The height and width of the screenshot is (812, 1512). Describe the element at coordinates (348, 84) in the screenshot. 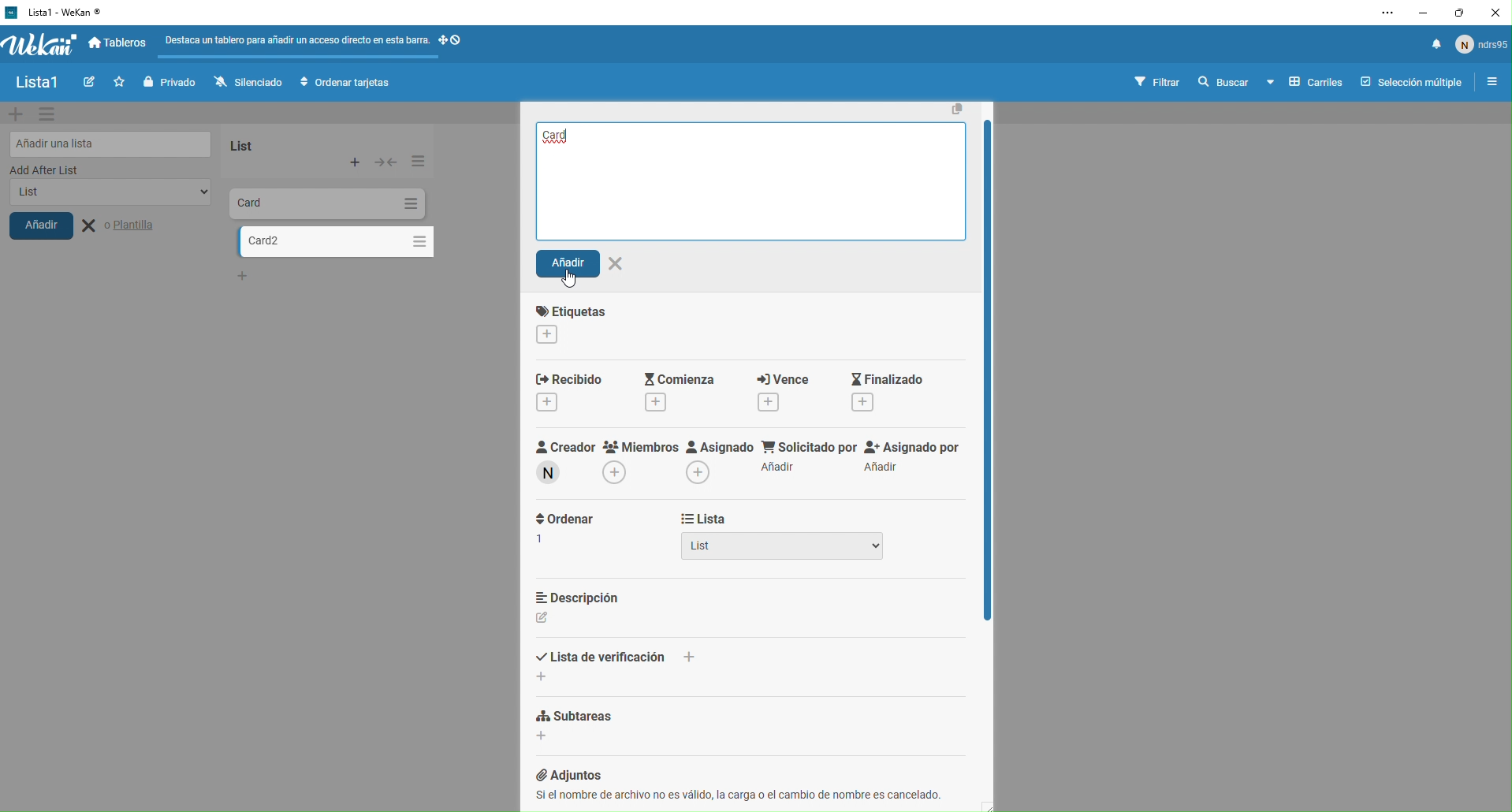

I see `ordenar tarjetas` at that location.